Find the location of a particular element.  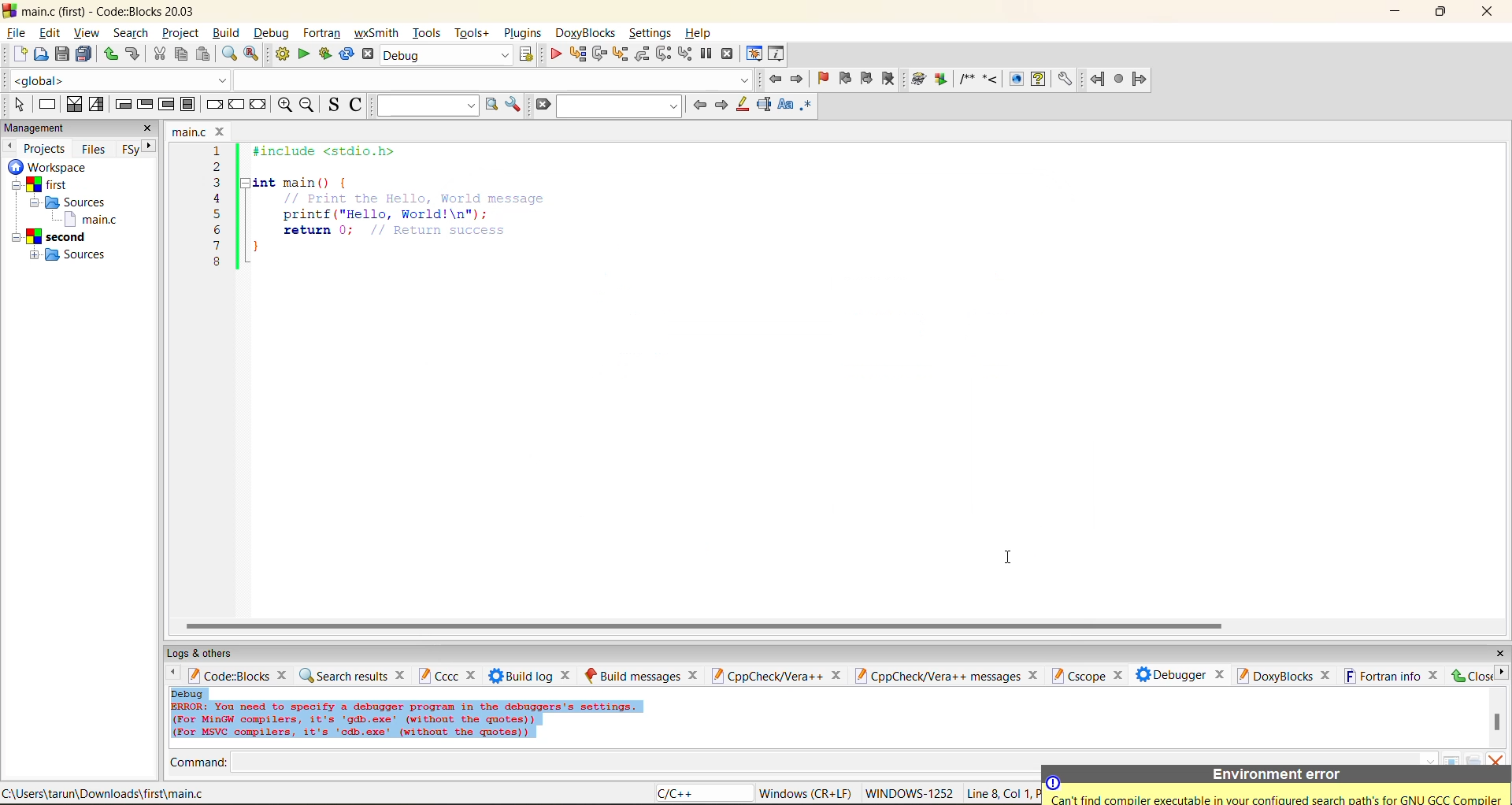

7 is located at coordinates (217, 246).